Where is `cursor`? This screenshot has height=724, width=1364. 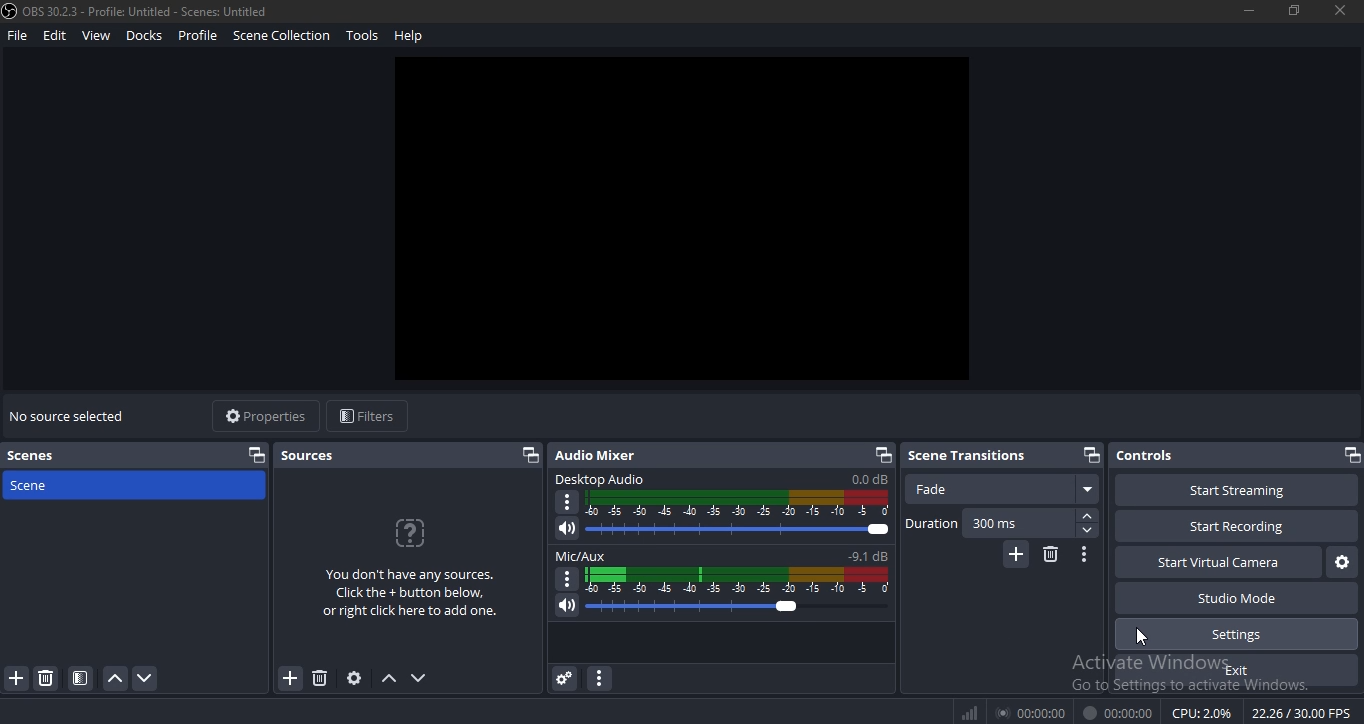
cursor is located at coordinates (1141, 642).